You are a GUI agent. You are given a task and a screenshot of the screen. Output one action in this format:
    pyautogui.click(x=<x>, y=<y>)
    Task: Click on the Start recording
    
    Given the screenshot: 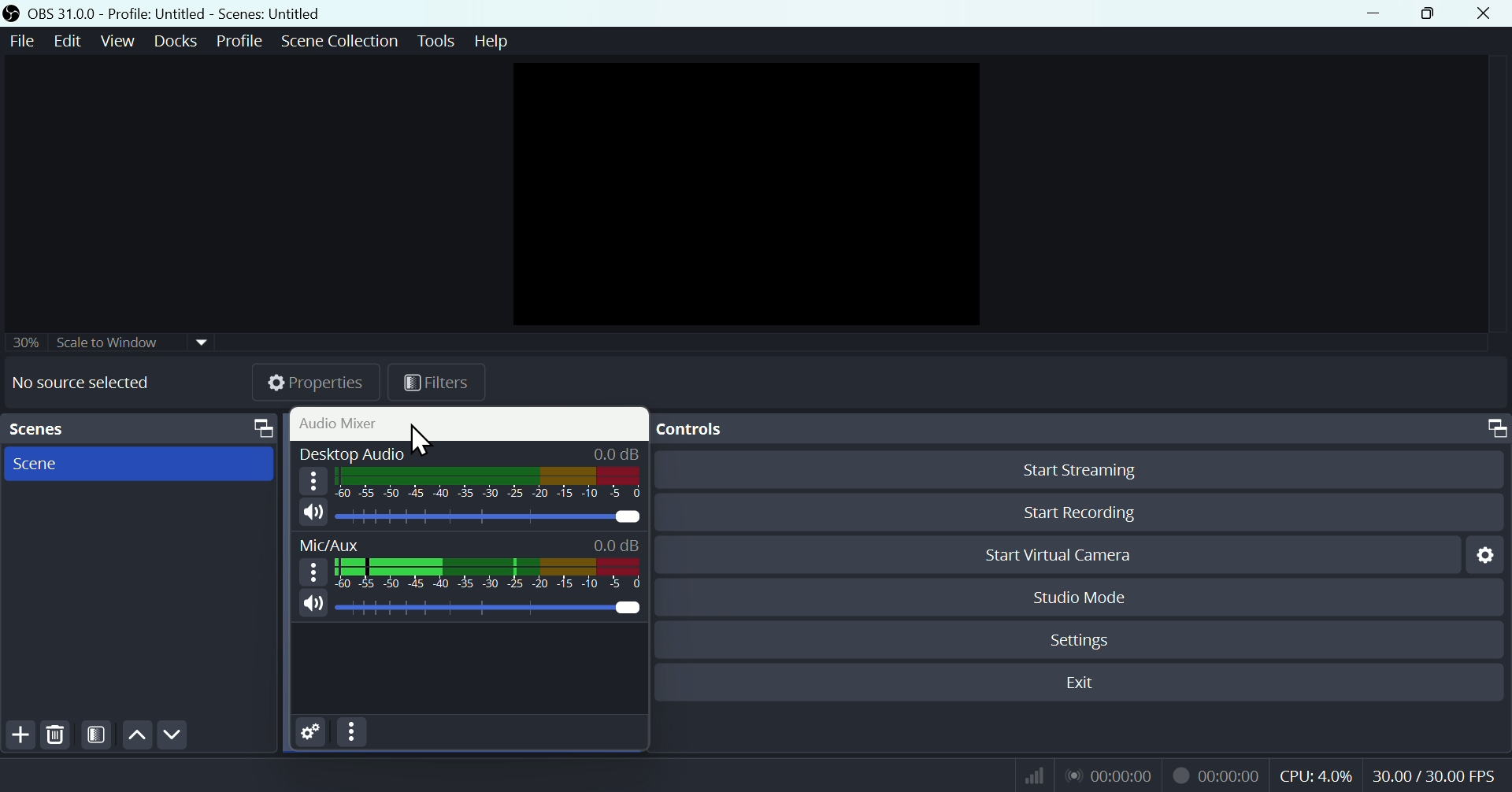 What is the action you would take?
    pyautogui.click(x=1084, y=514)
    